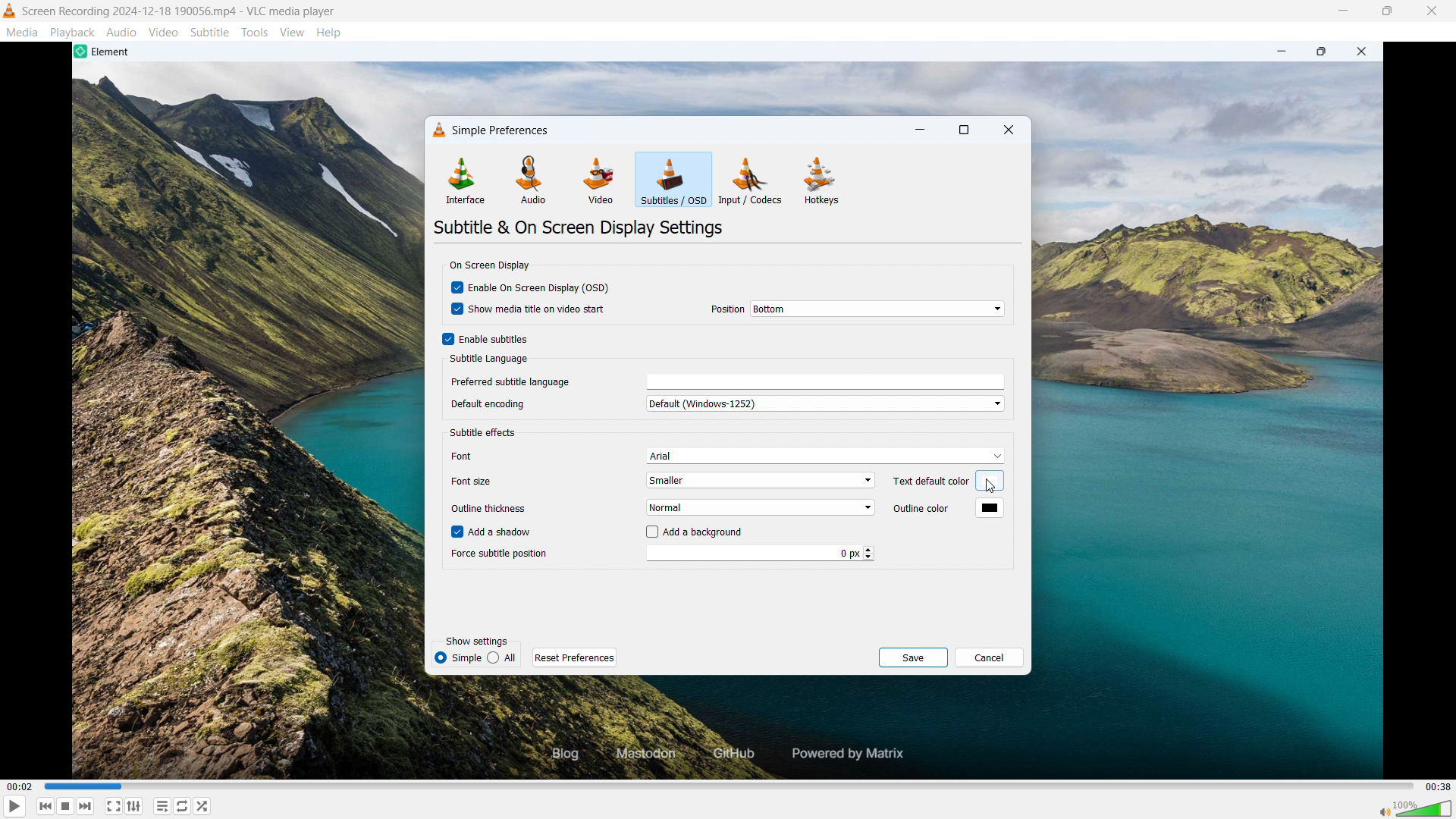  I want to click on Time elapsed , so click(20, 786).